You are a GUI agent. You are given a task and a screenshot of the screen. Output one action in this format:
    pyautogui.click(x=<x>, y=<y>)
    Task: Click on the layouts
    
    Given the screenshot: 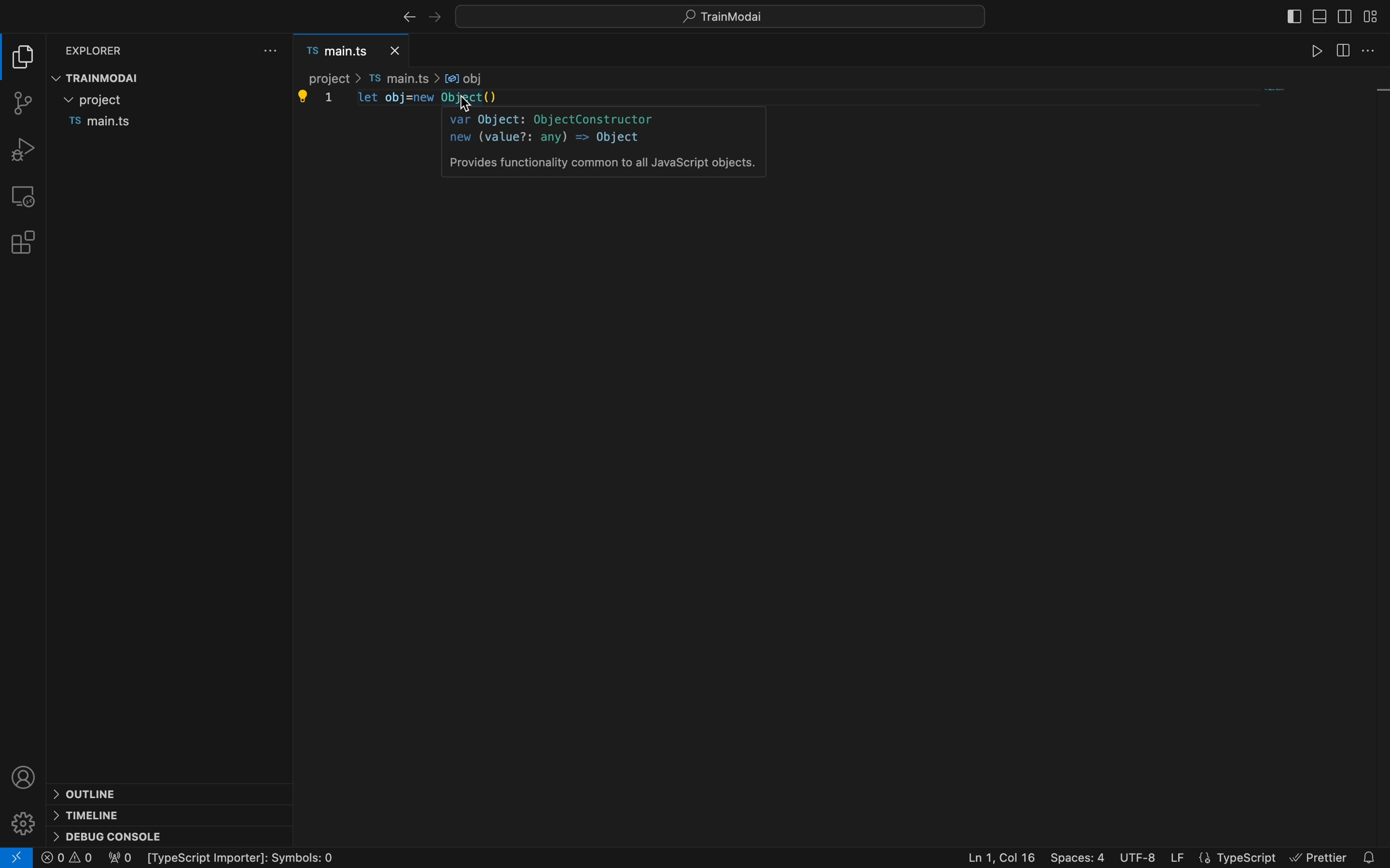 What is the action you would take?
    pyautogui.click(x=1372, y=19)
    